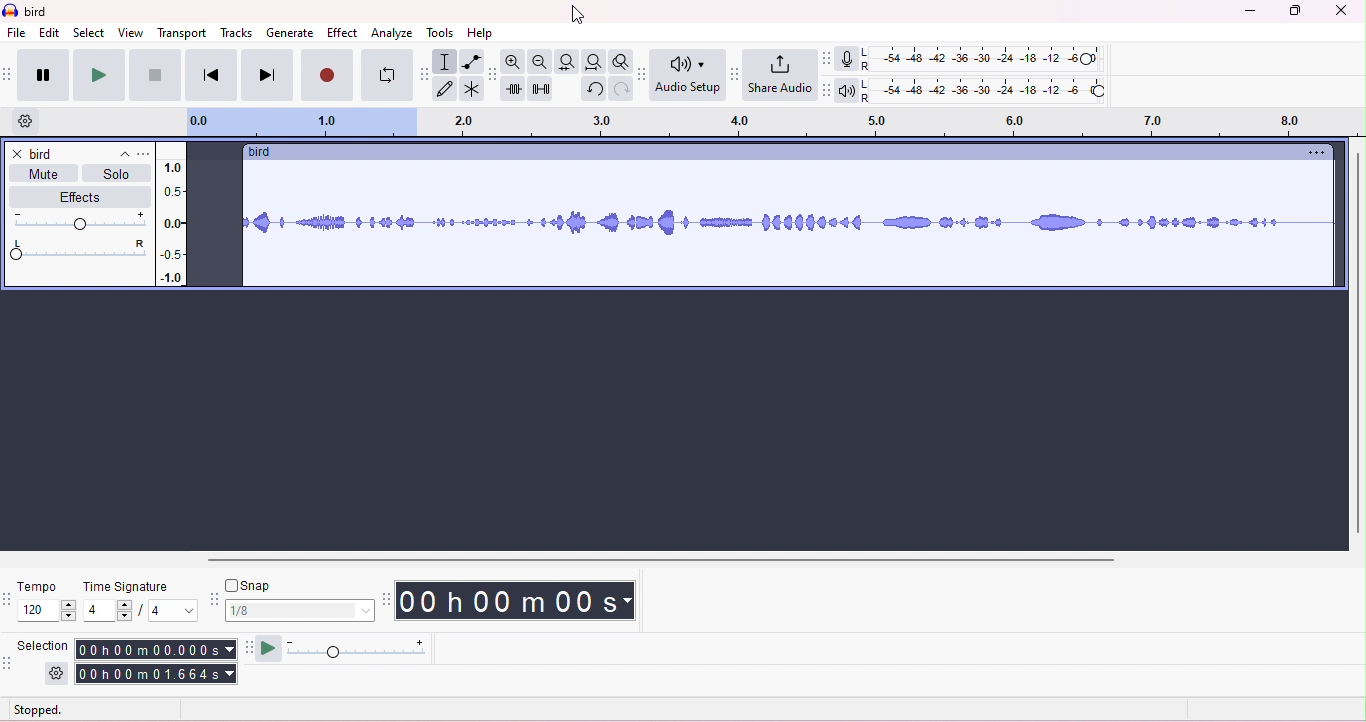 The image size is (1366, 722). I want to click on silence the selection, so click(541, 90).